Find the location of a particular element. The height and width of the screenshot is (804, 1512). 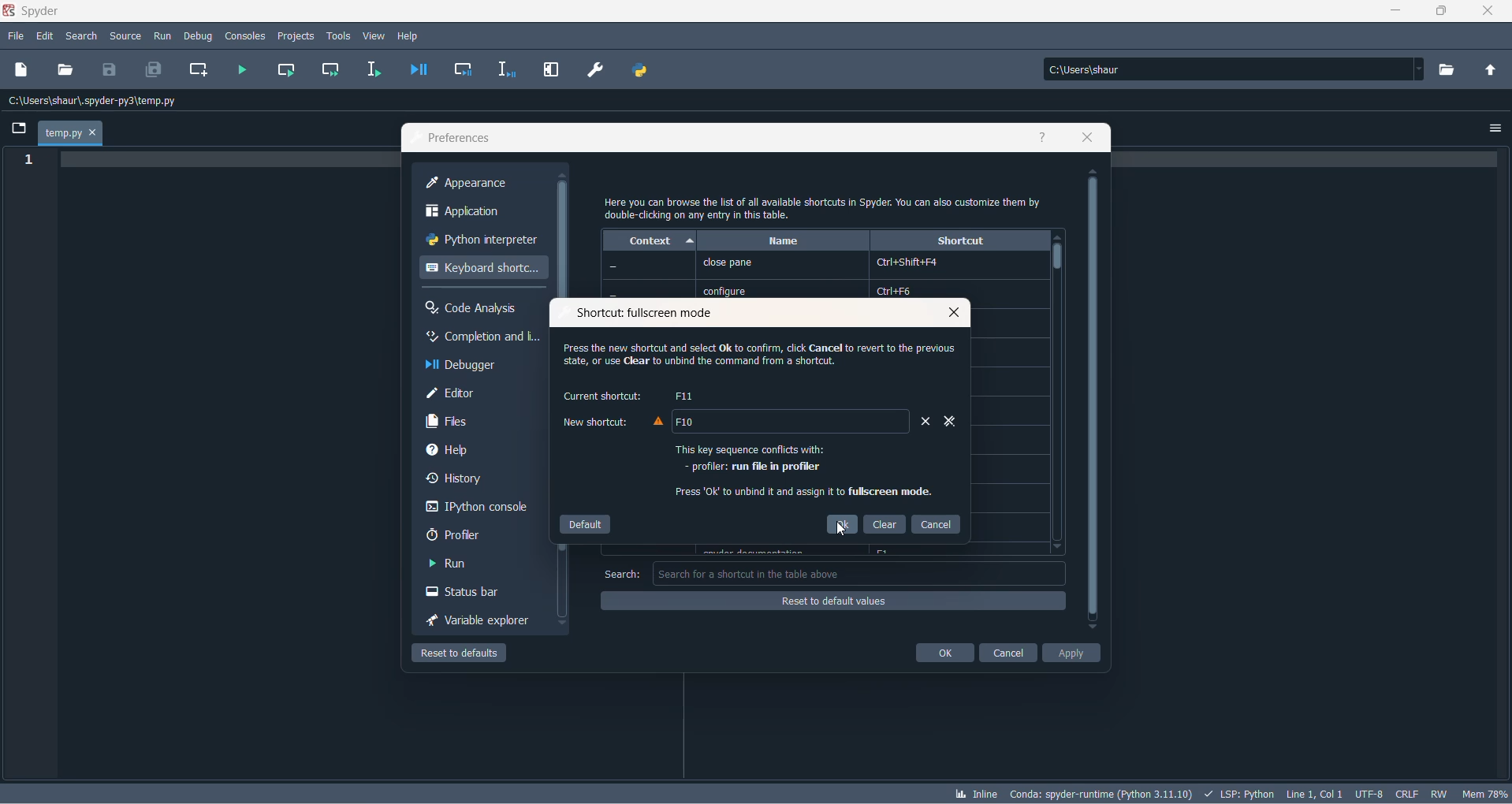

history is located at coordinates (476, 481).